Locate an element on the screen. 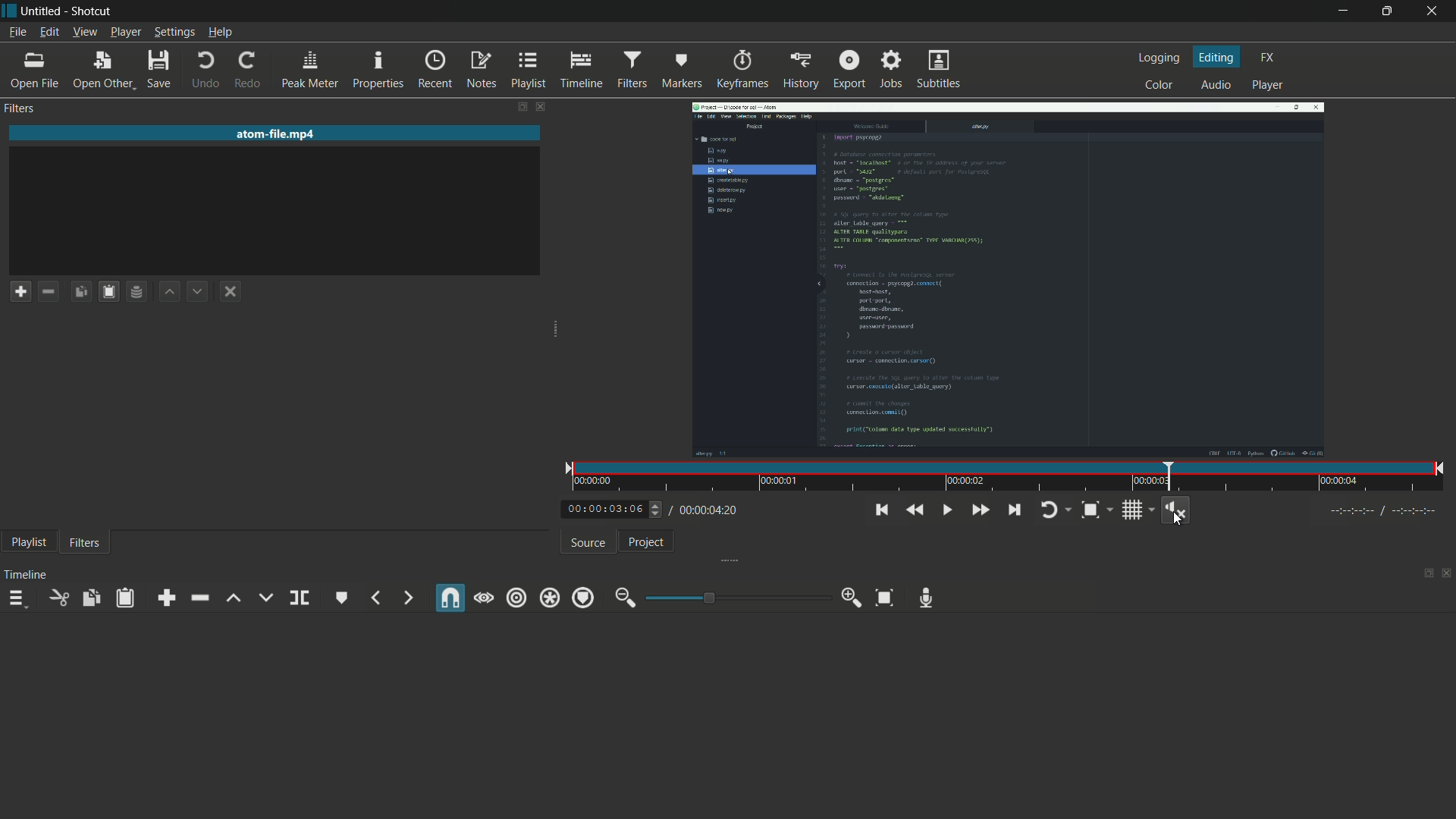  change layout is located at coordinates (1426, 573).